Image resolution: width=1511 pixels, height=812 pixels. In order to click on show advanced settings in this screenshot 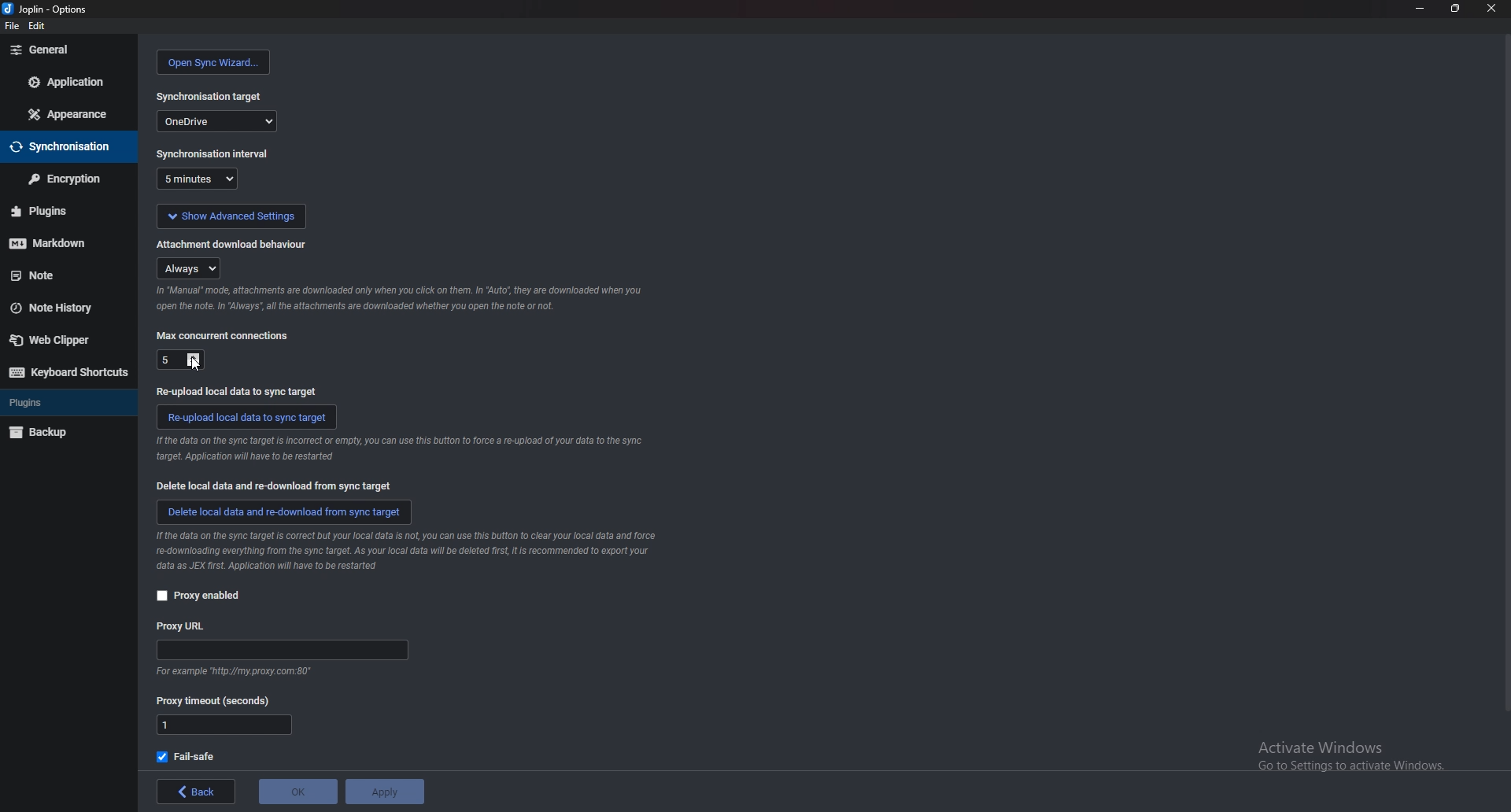, I will do `click(231, 216)`.